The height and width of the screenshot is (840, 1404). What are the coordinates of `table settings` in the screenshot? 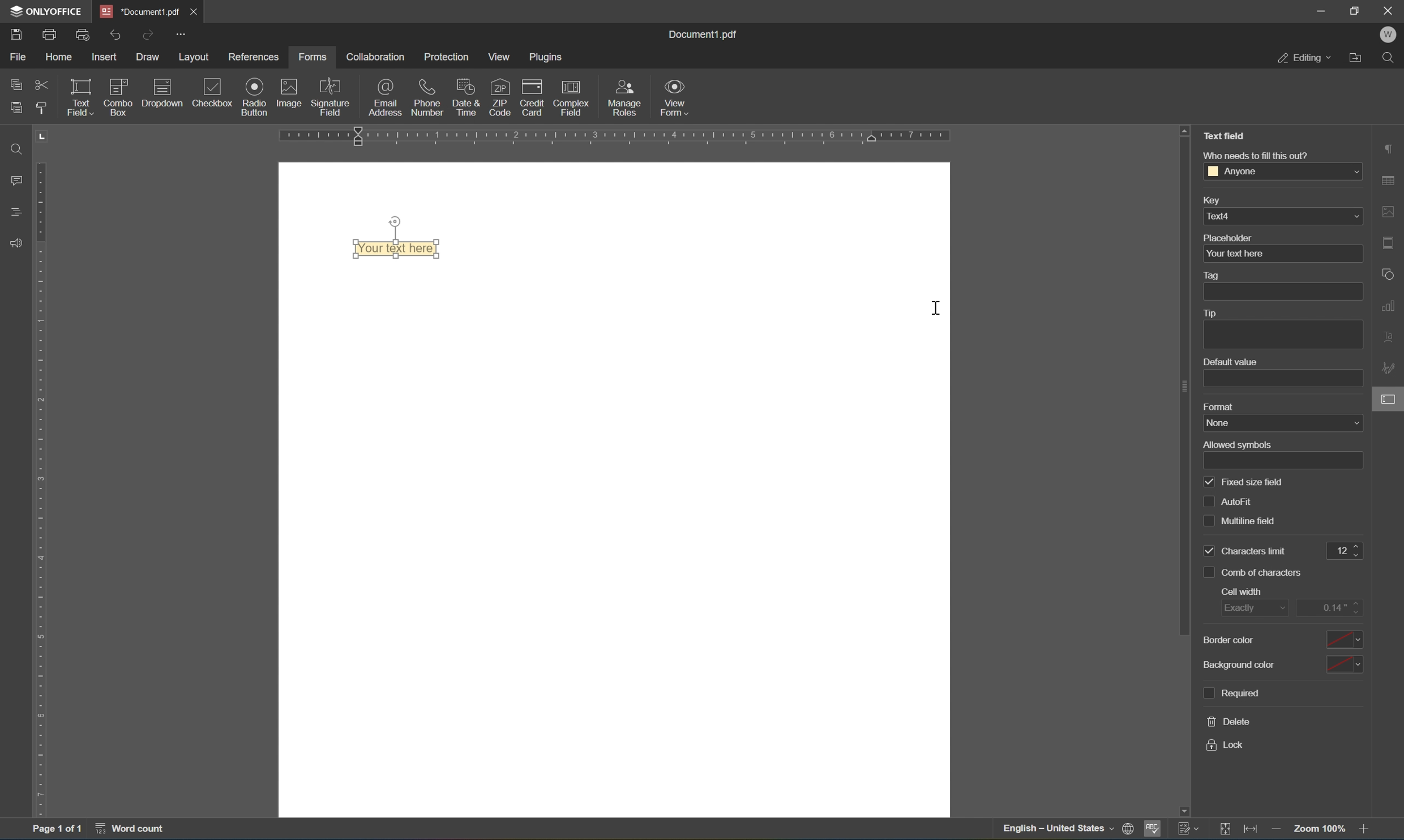 It's located at (1388, 182).